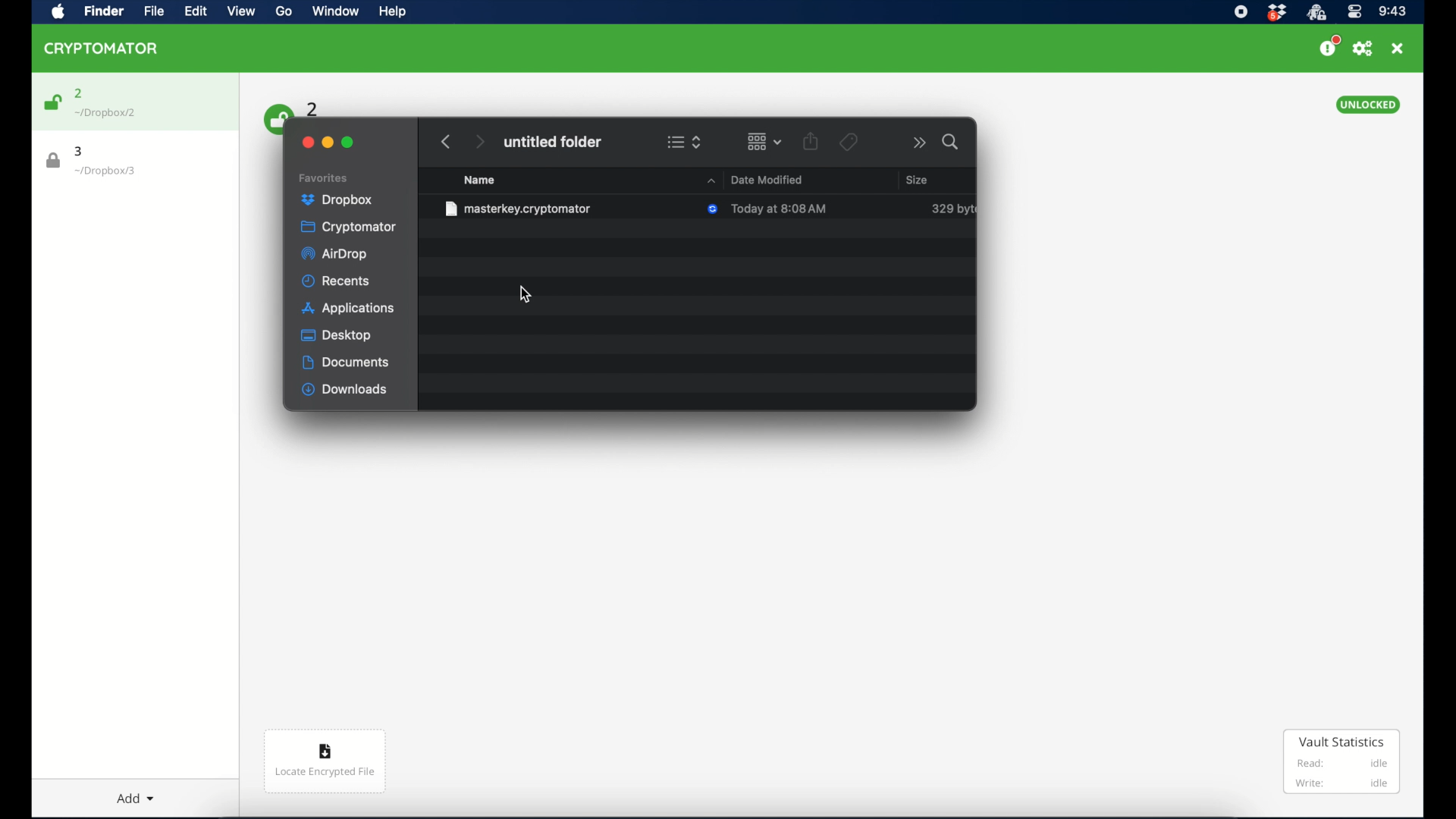 This screenshot has width=1456, height=819. I want to click on finder, so click(102, 11).